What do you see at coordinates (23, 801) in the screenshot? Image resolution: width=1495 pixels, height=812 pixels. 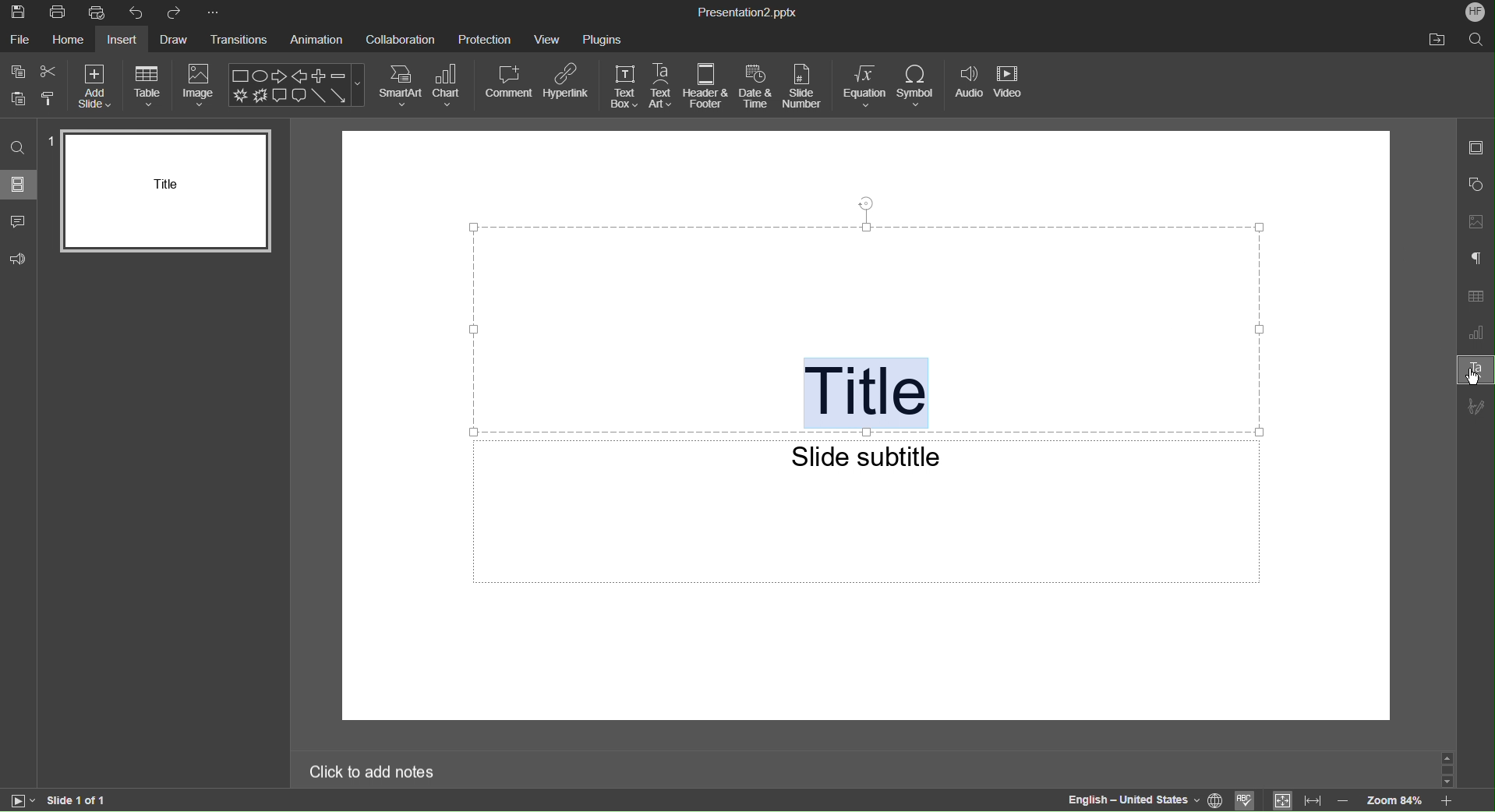 I see `start slide show` at bounding box center [23, 801].